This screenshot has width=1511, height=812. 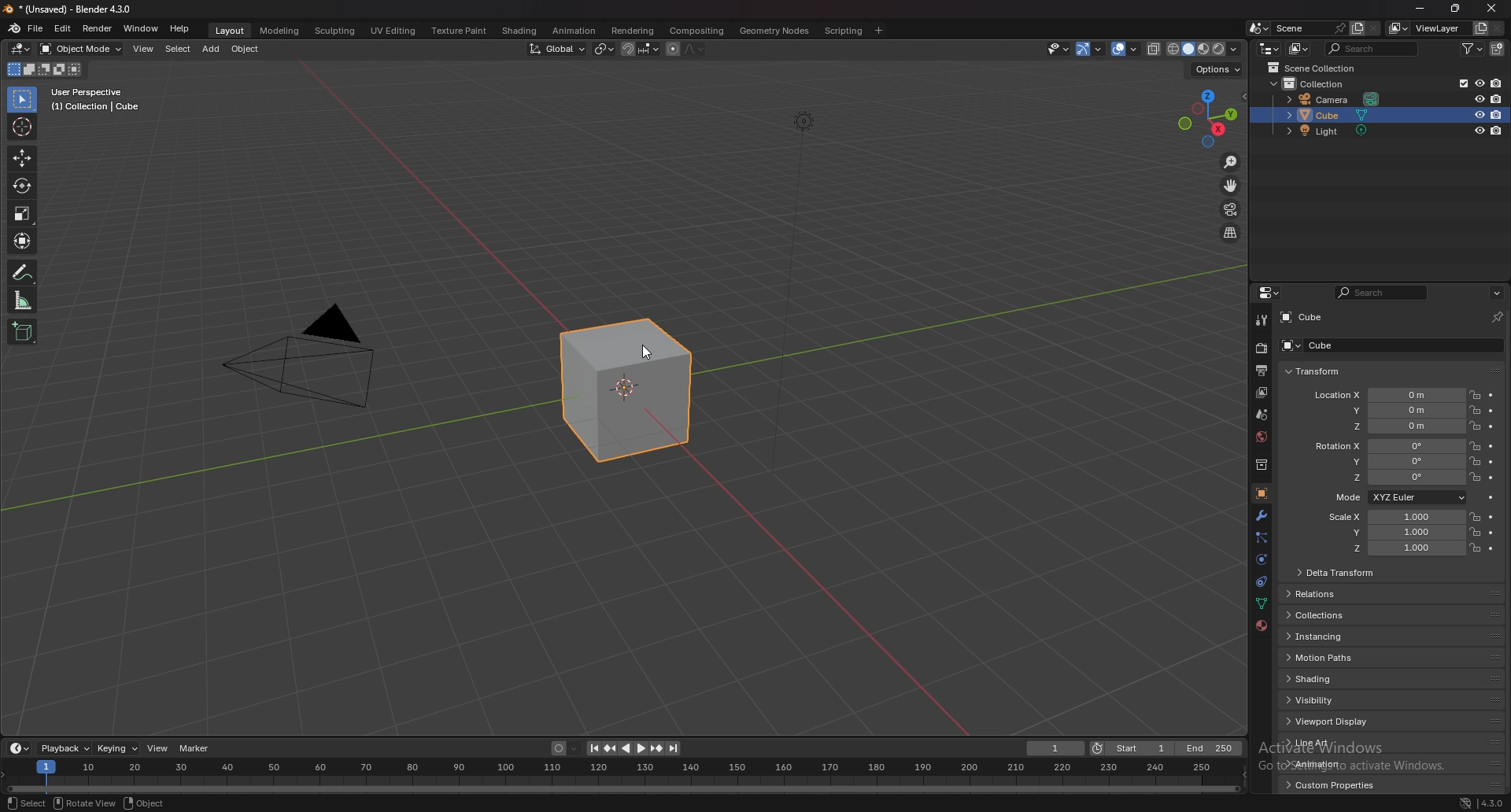 I want to click on rendering, so click(x=634, y=31).